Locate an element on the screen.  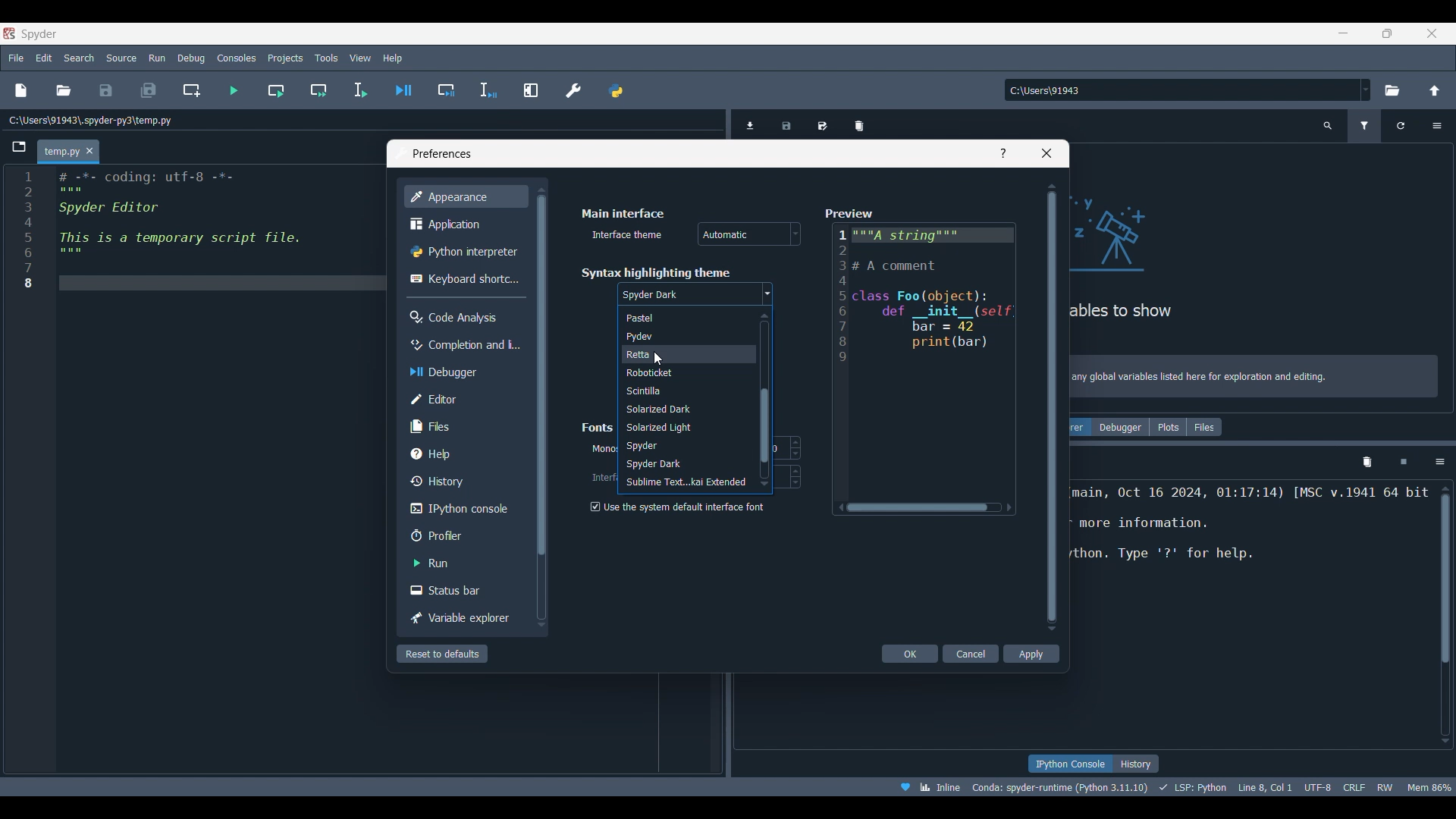
Options is located at coordinates (1440, 462).